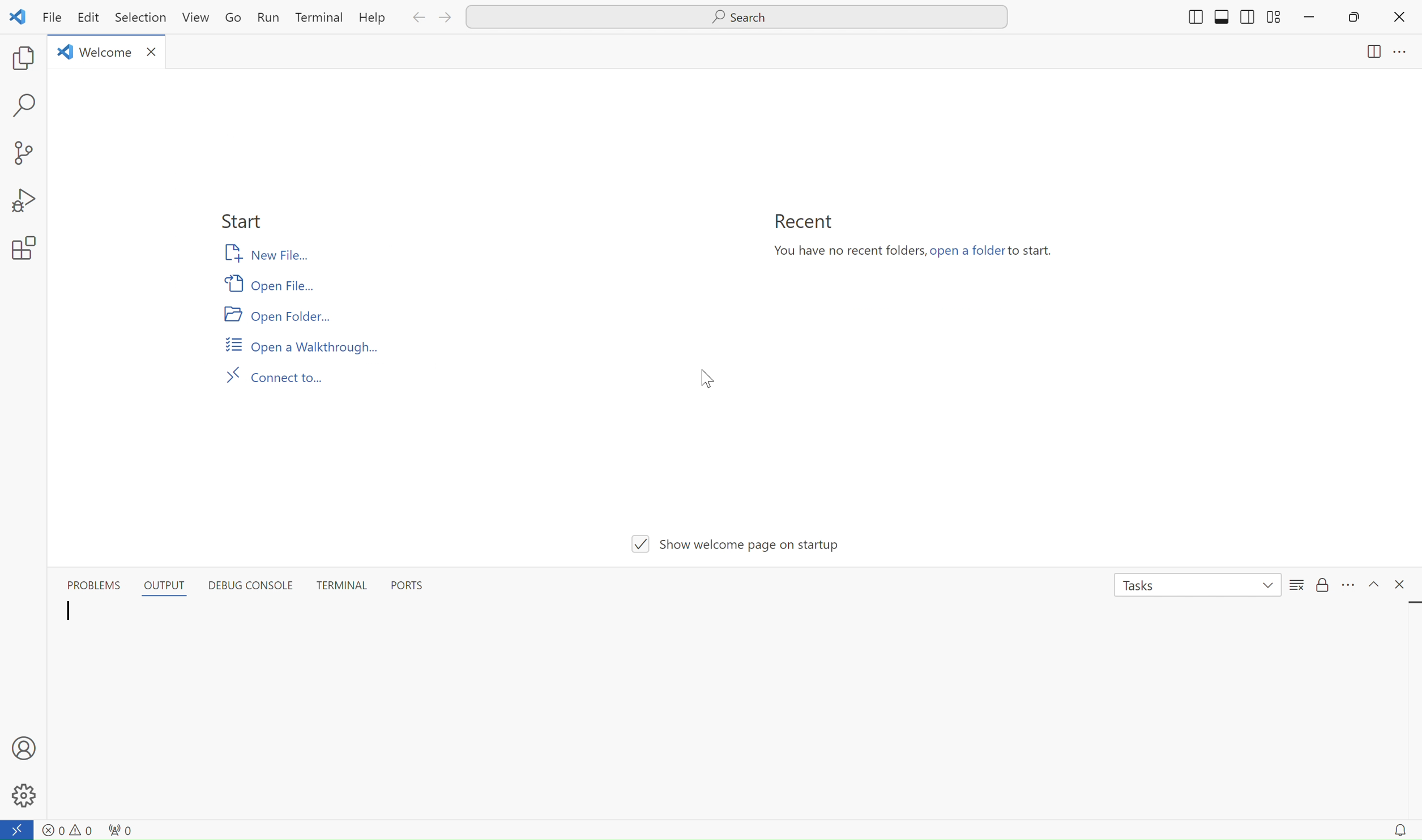 The height and width of the screenshot is (840, 1422). Describe the element at coordinates (18, 829) in the screenshot. I see `open a remote window` at that location.